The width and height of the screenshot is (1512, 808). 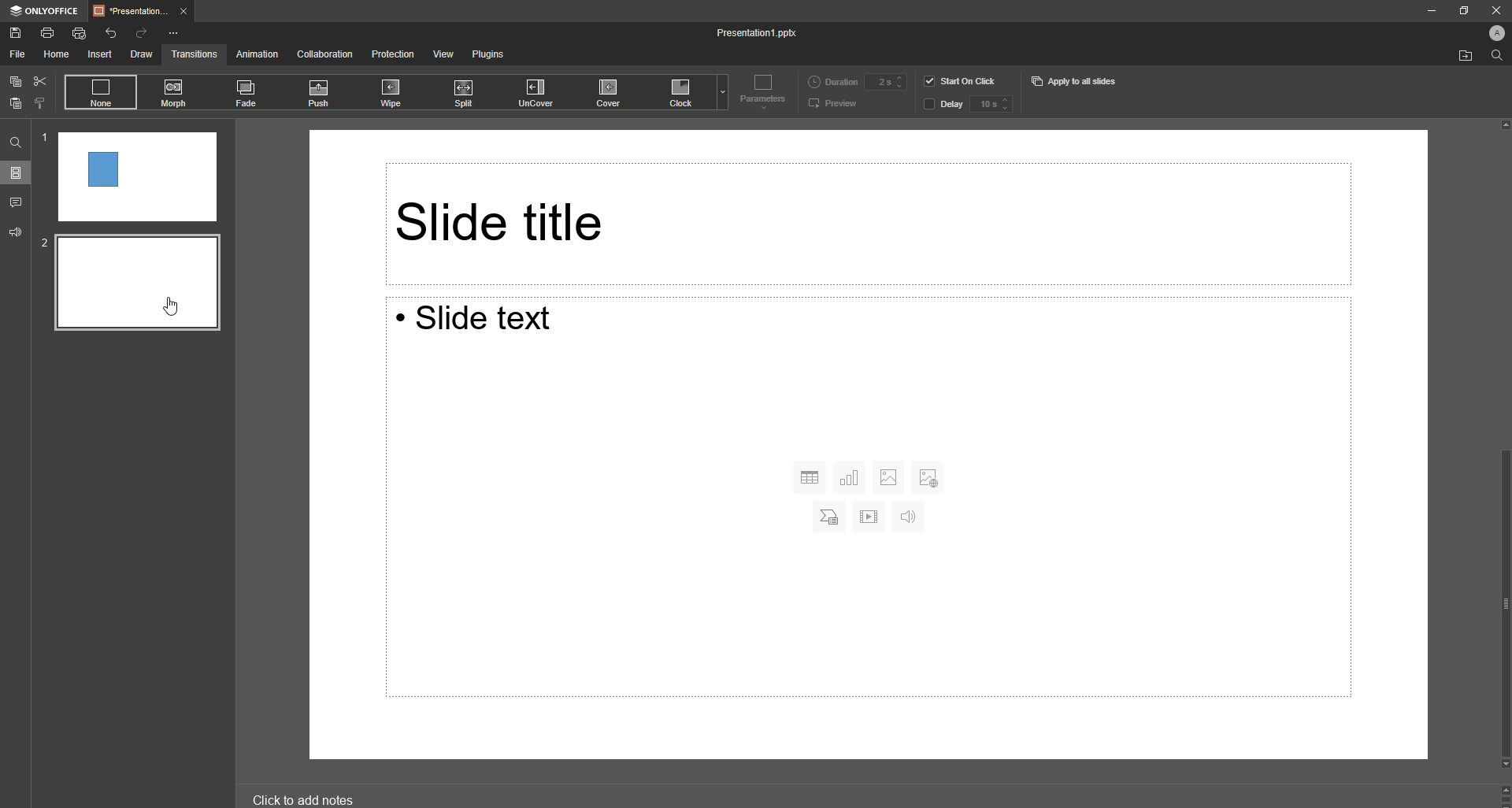 What do you see at coordinates (143, 33) in the screenshot?
I see `Redo` at bounding box center [143, 33].